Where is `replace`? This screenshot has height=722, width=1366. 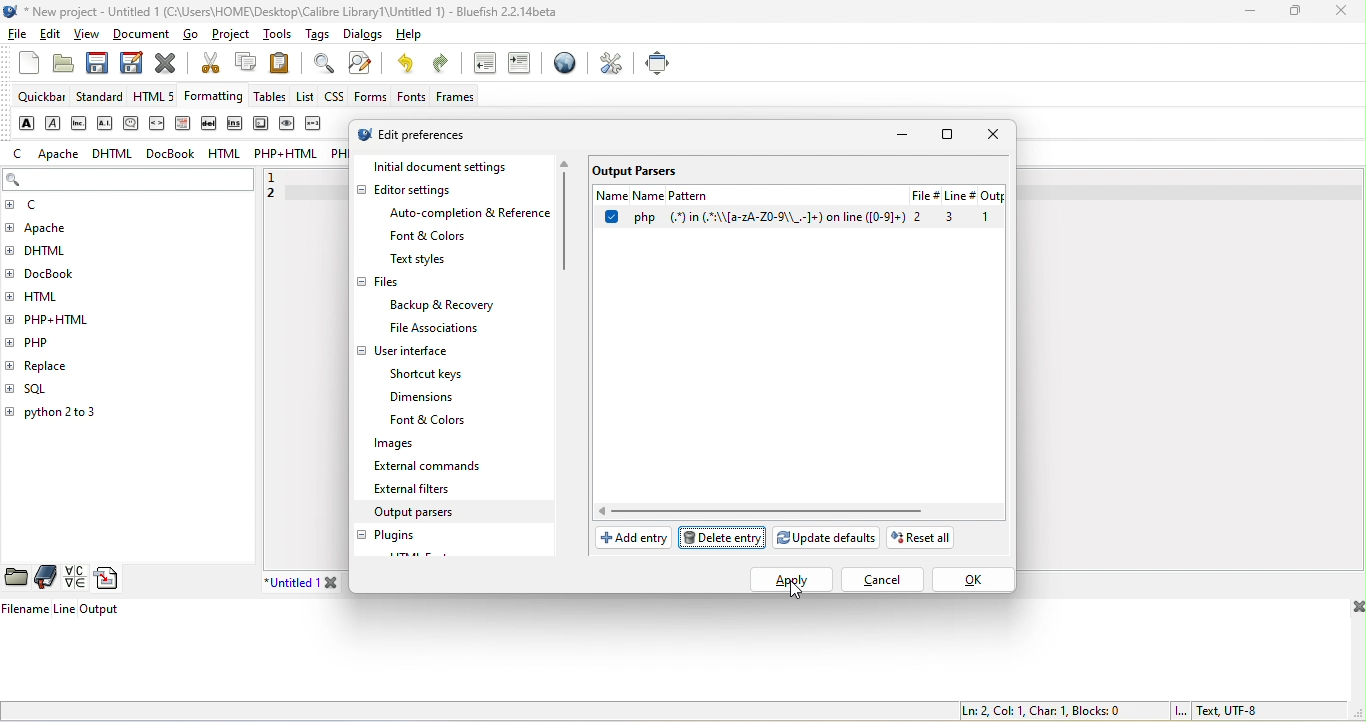 replace is located at coordinates (79, 363).